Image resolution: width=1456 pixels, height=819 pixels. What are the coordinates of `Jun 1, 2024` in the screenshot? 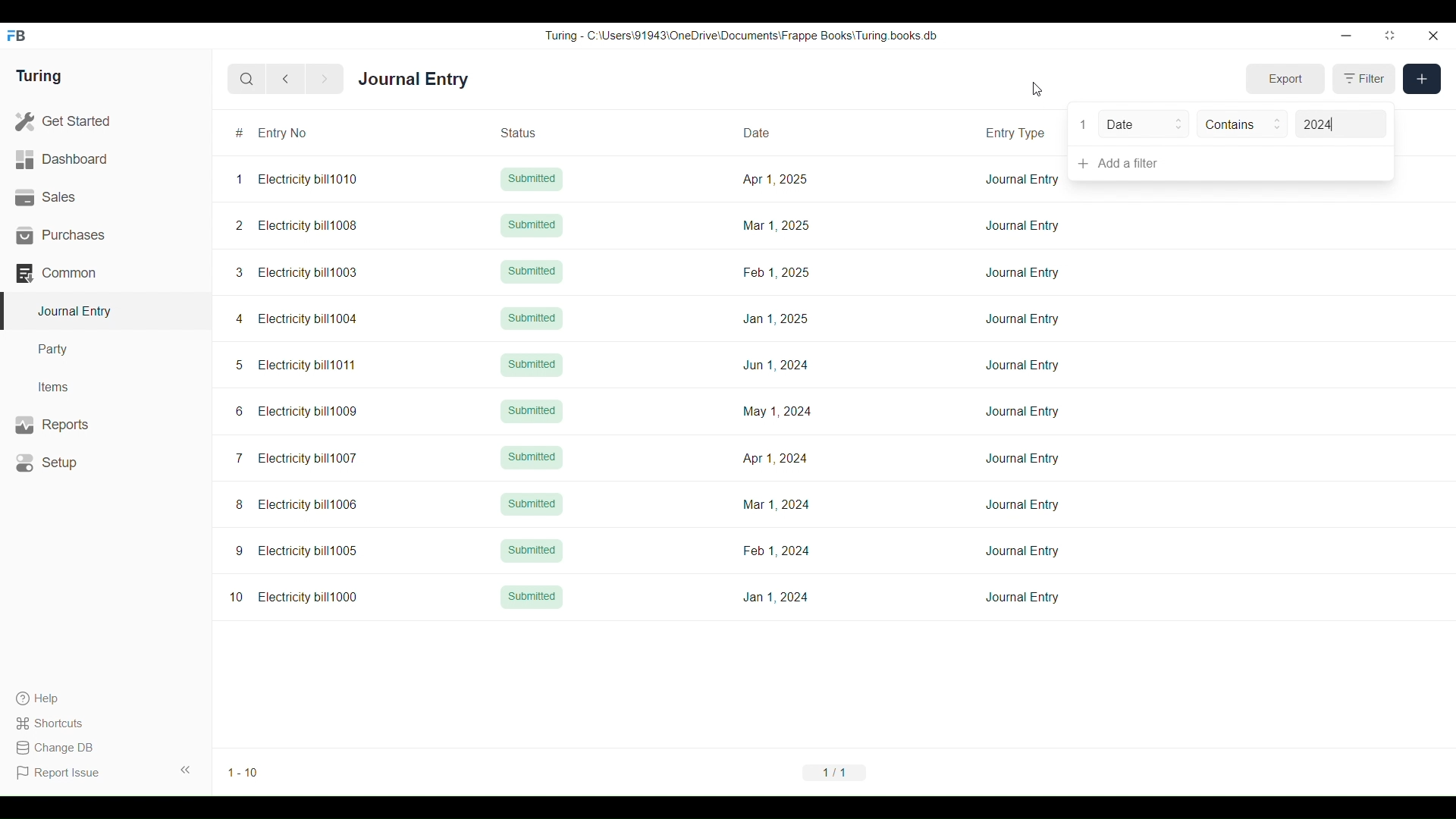 It's located at (776, 365).